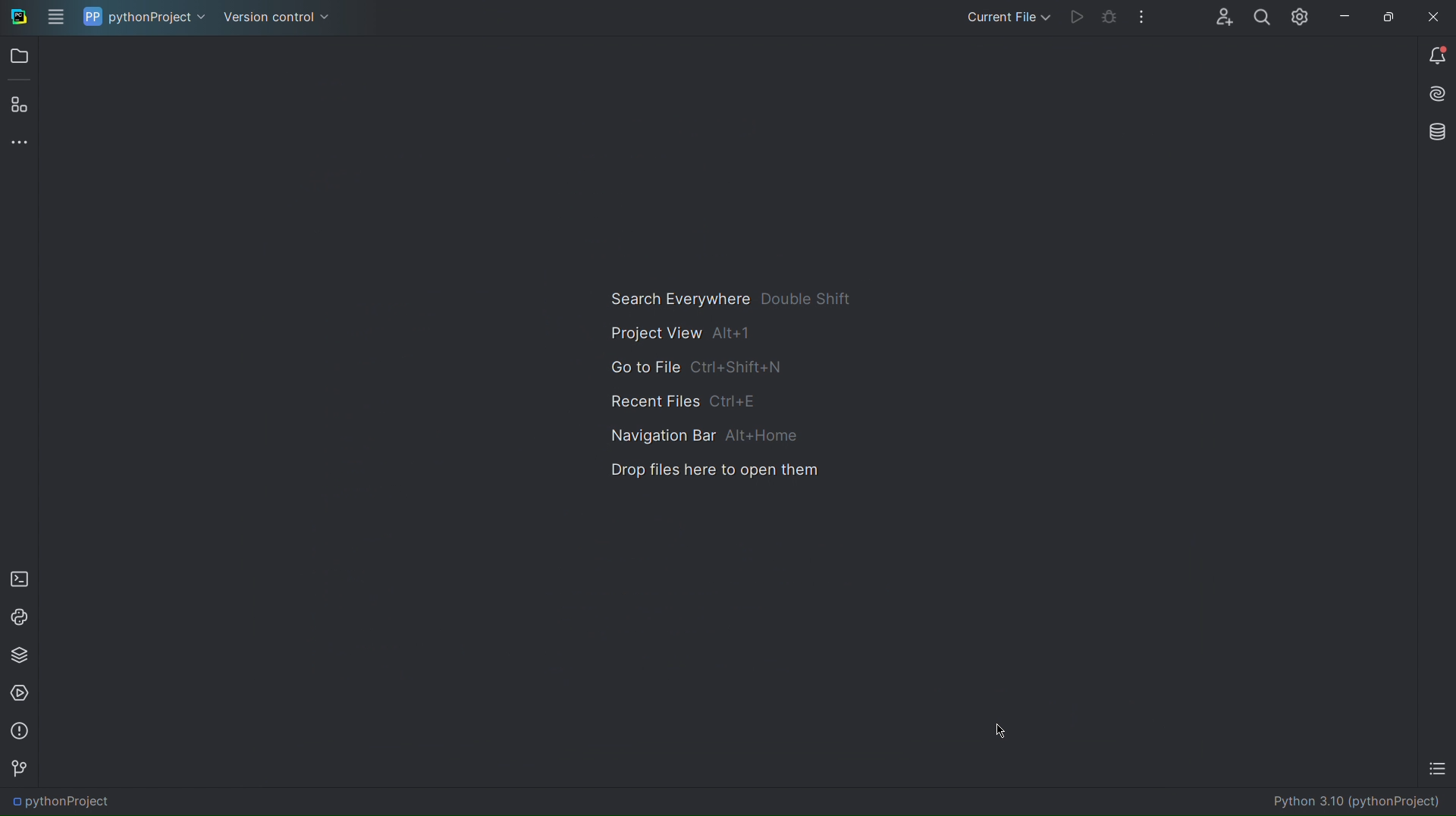 This screenshot has height=816, width=1456. I want to click on Terminal, so click(19, 576).